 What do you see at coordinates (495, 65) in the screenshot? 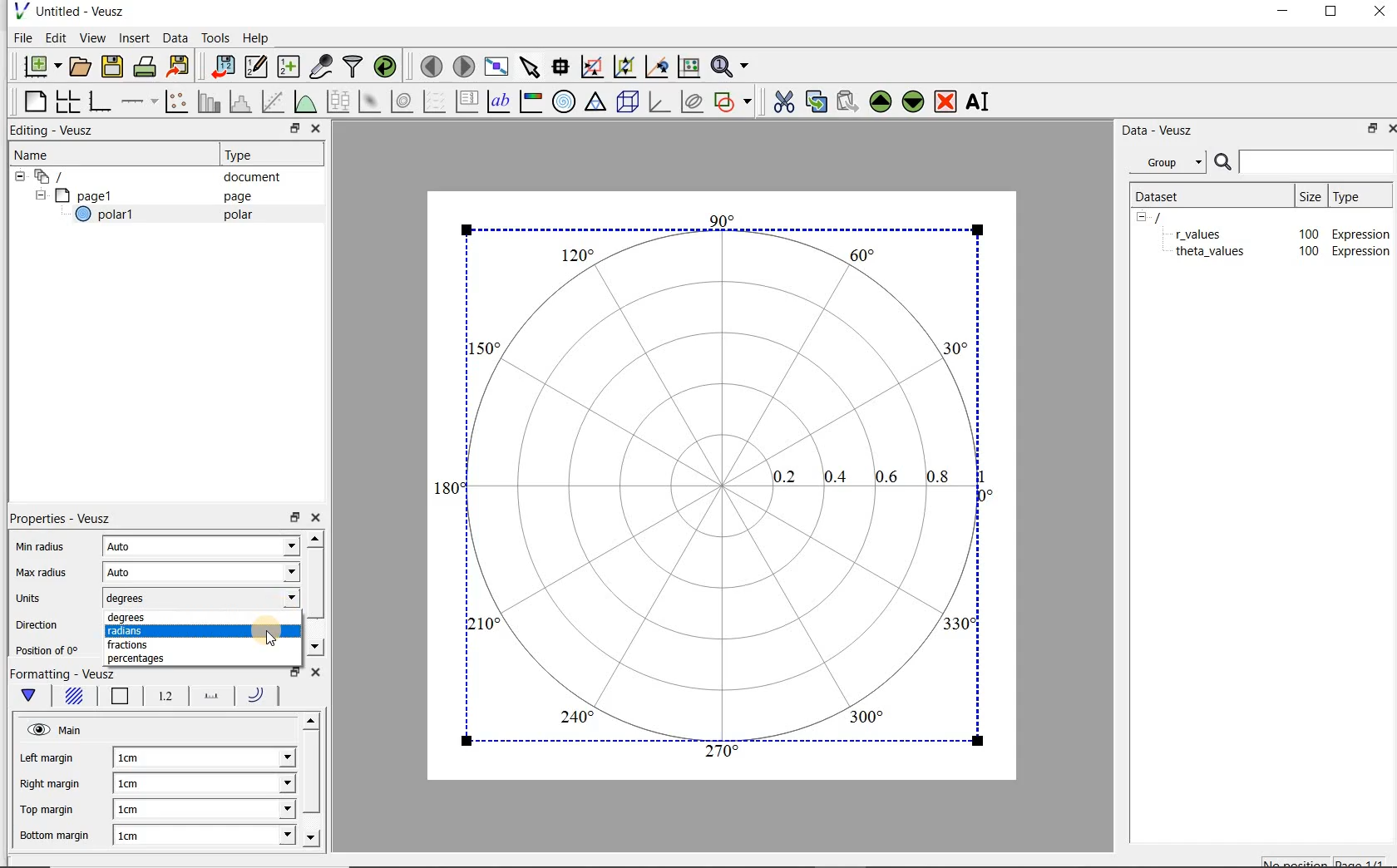
I see `view plot full screen` at bounding box center [495, 65].